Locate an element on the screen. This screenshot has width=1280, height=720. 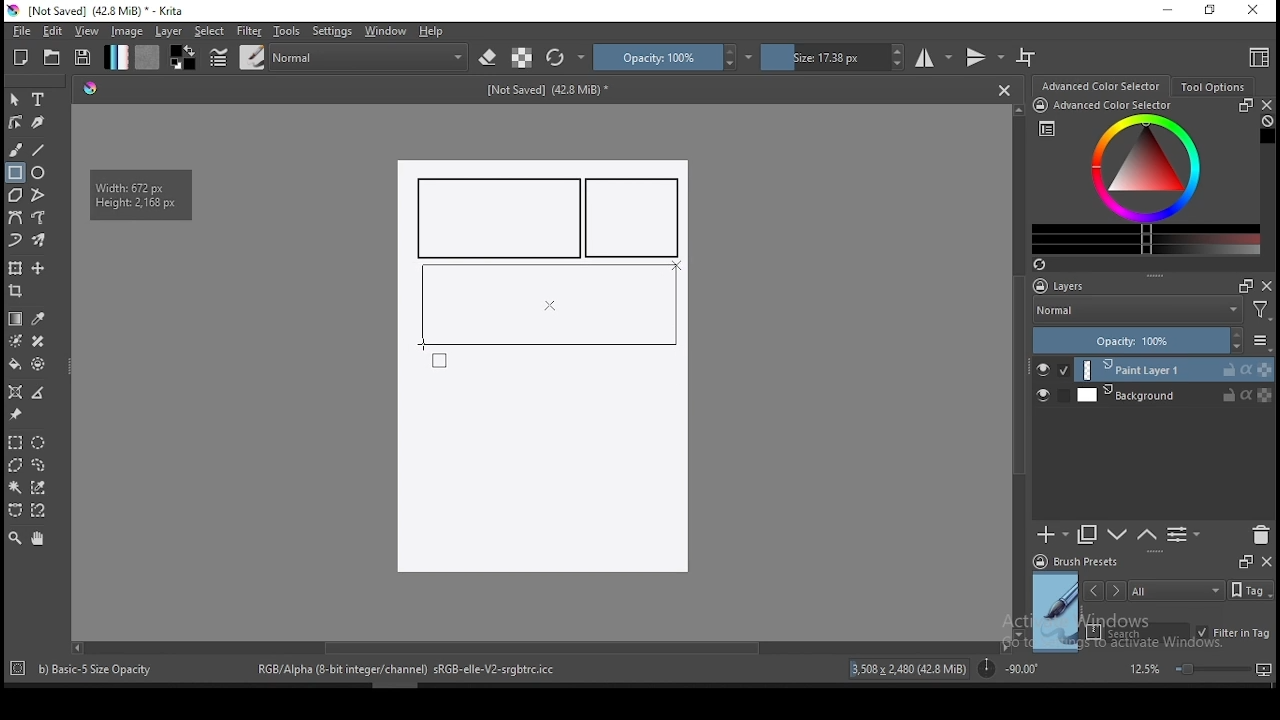
advanced color selector is located at coordinates (1142, 176).